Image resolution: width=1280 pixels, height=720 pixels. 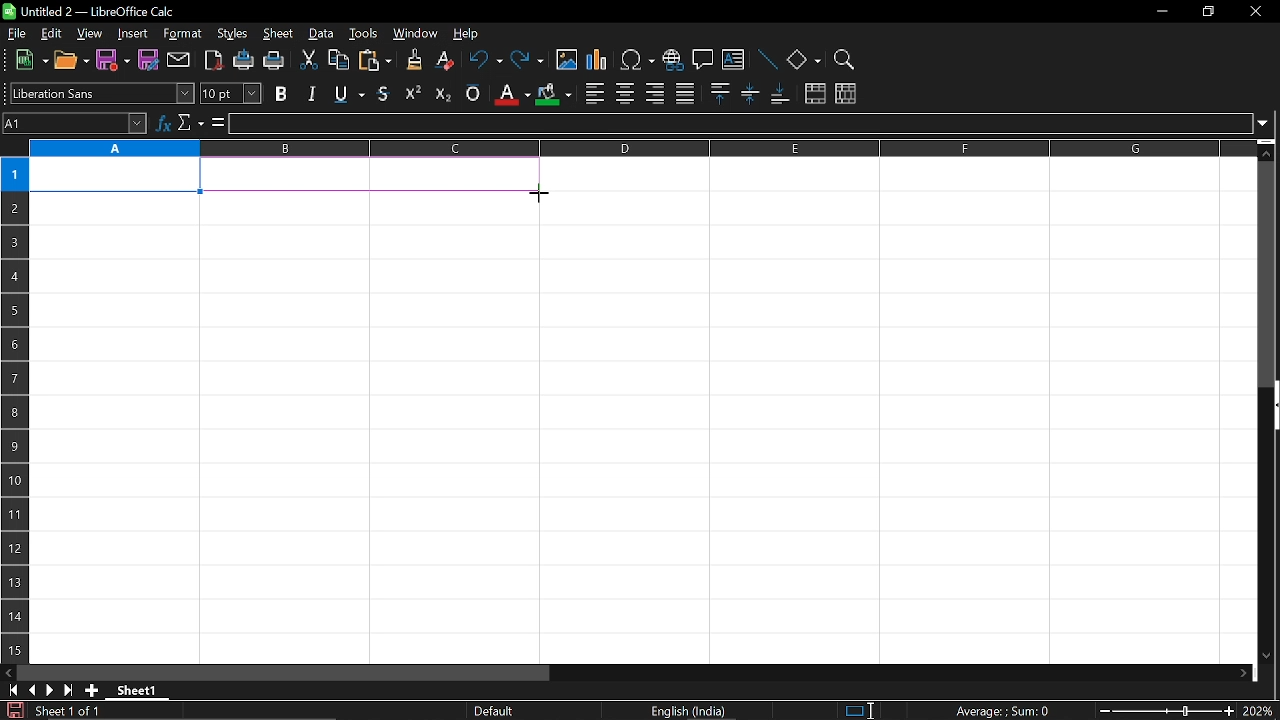 I want to click on Untitled 2 - LibreOffice Calc, so click(x=90, y=11).